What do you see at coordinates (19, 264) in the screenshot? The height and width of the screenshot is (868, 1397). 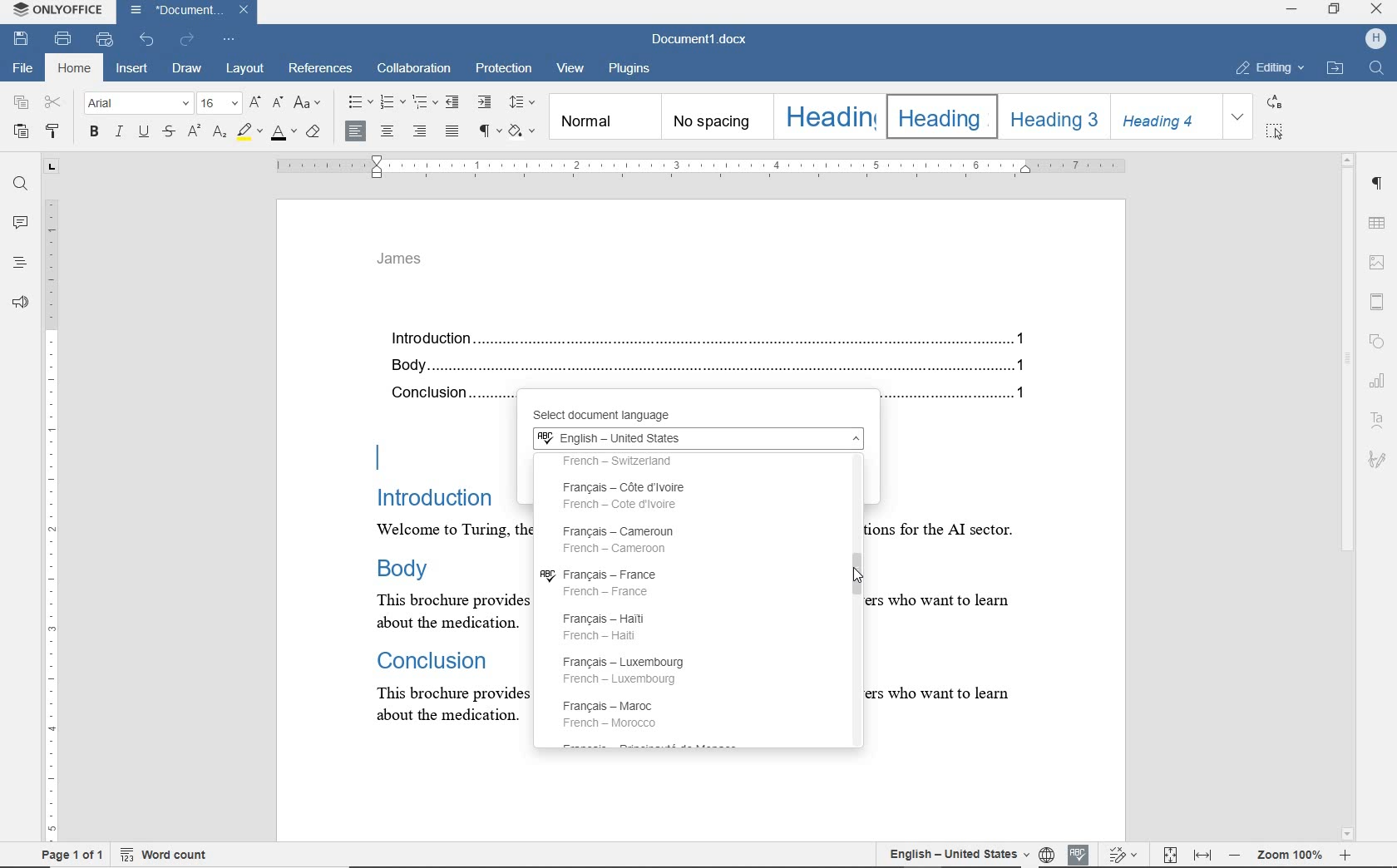 I see `headings` at bounding box center [19, 264].